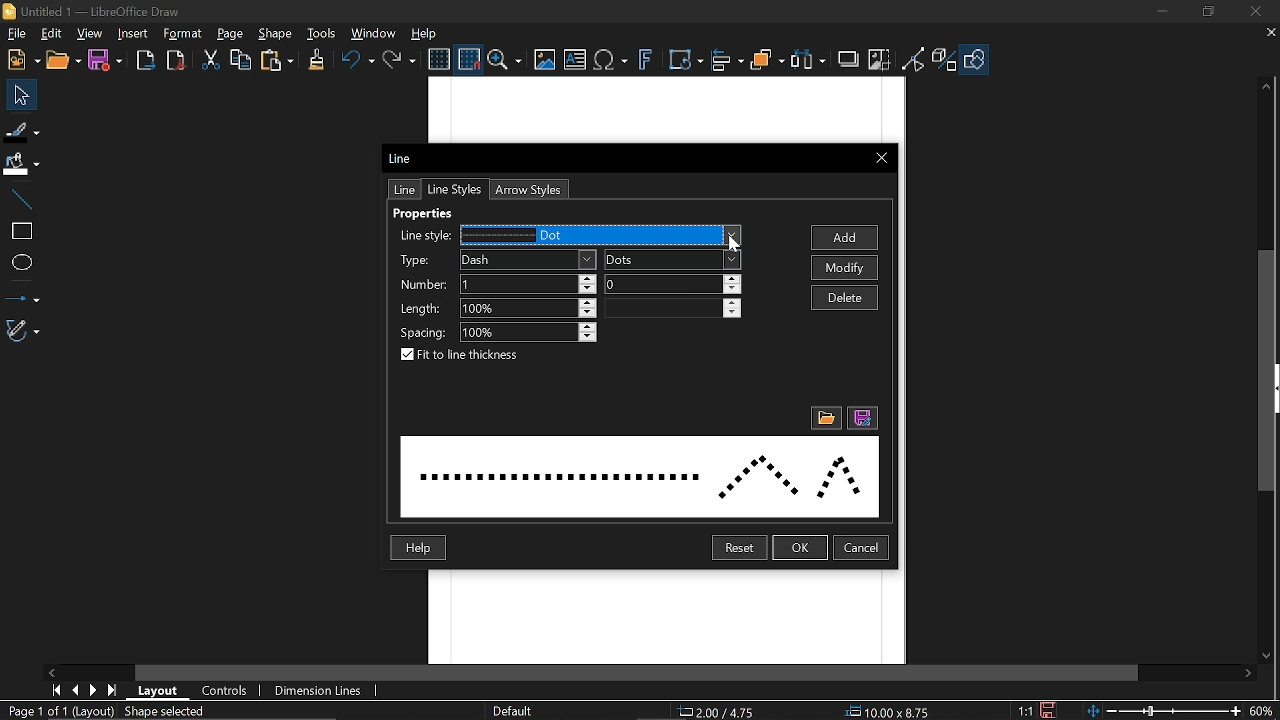 Image resolution: width=1280 pixels, height=720 pixels. What do you see at coordinates (601, 236) in the screenshot?
I see `Line styles` at bounding box center [601, 236].